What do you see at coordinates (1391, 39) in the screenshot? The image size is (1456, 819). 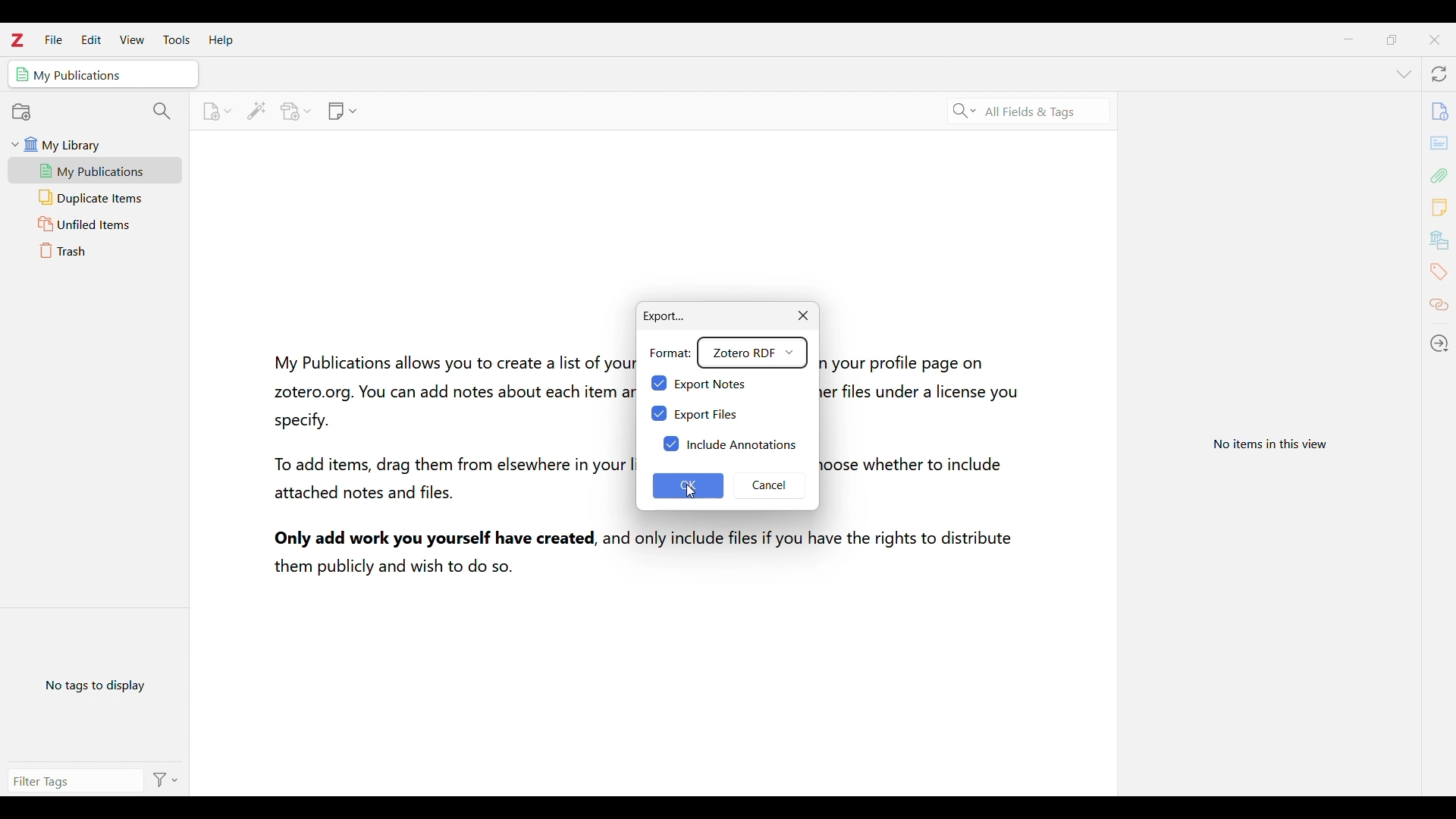 I see `Show interface in a smaller tab` at bounding box center [1391, 39].